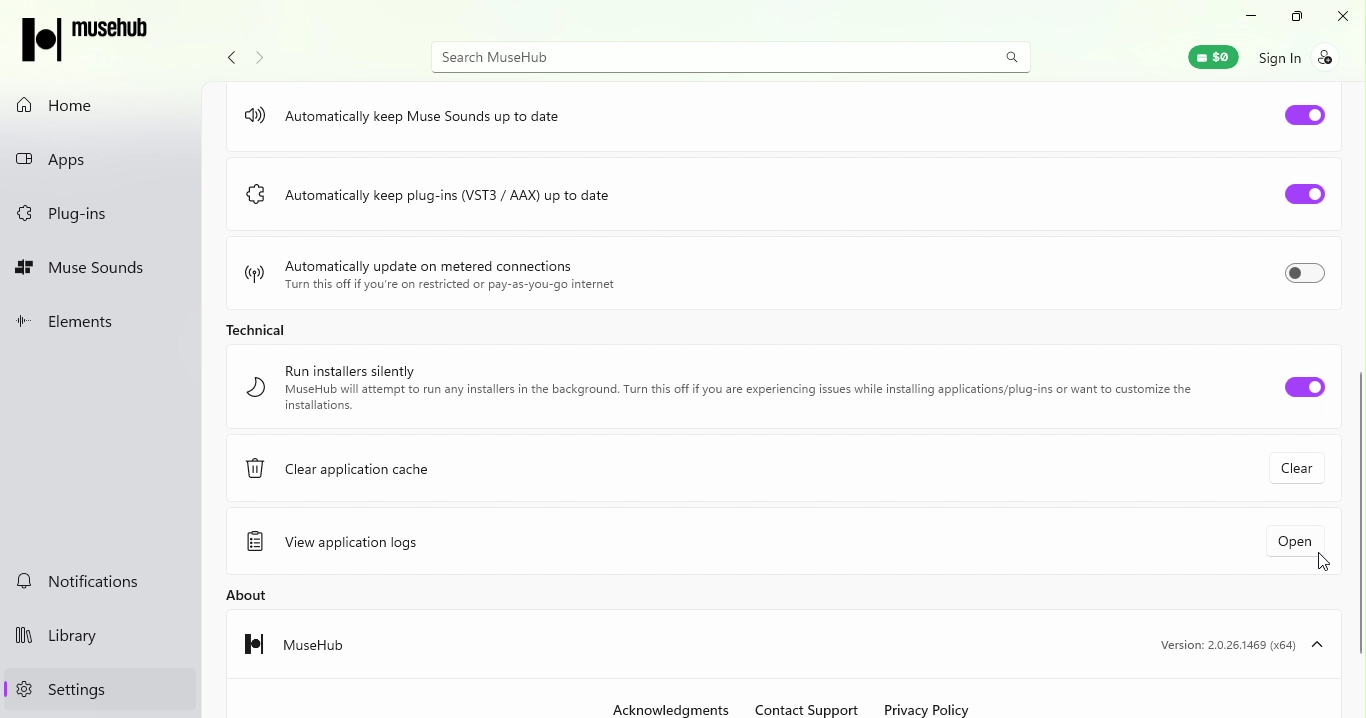  Describe the element at coordinates (404, 118) in the screenshot. I see `Automatically keep muse sounds up to date` at that location.